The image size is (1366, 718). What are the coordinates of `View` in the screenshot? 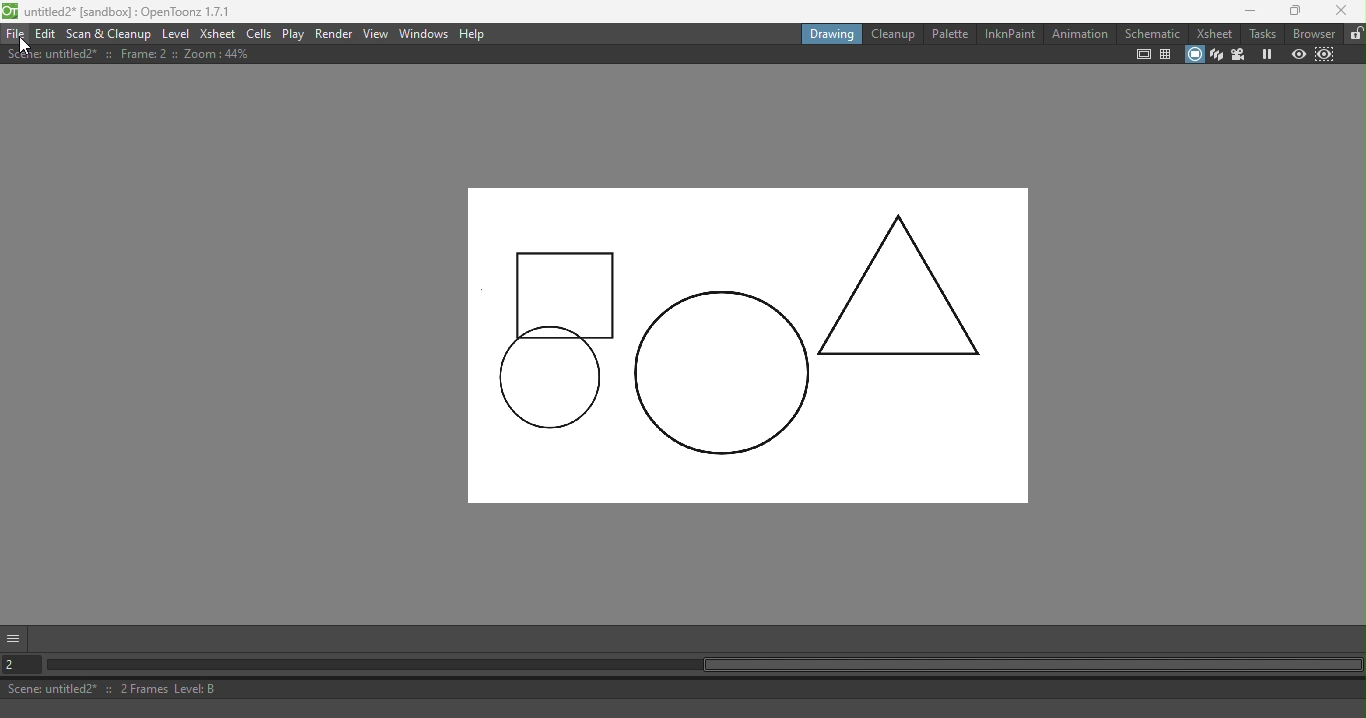 It's located at (374, 33).